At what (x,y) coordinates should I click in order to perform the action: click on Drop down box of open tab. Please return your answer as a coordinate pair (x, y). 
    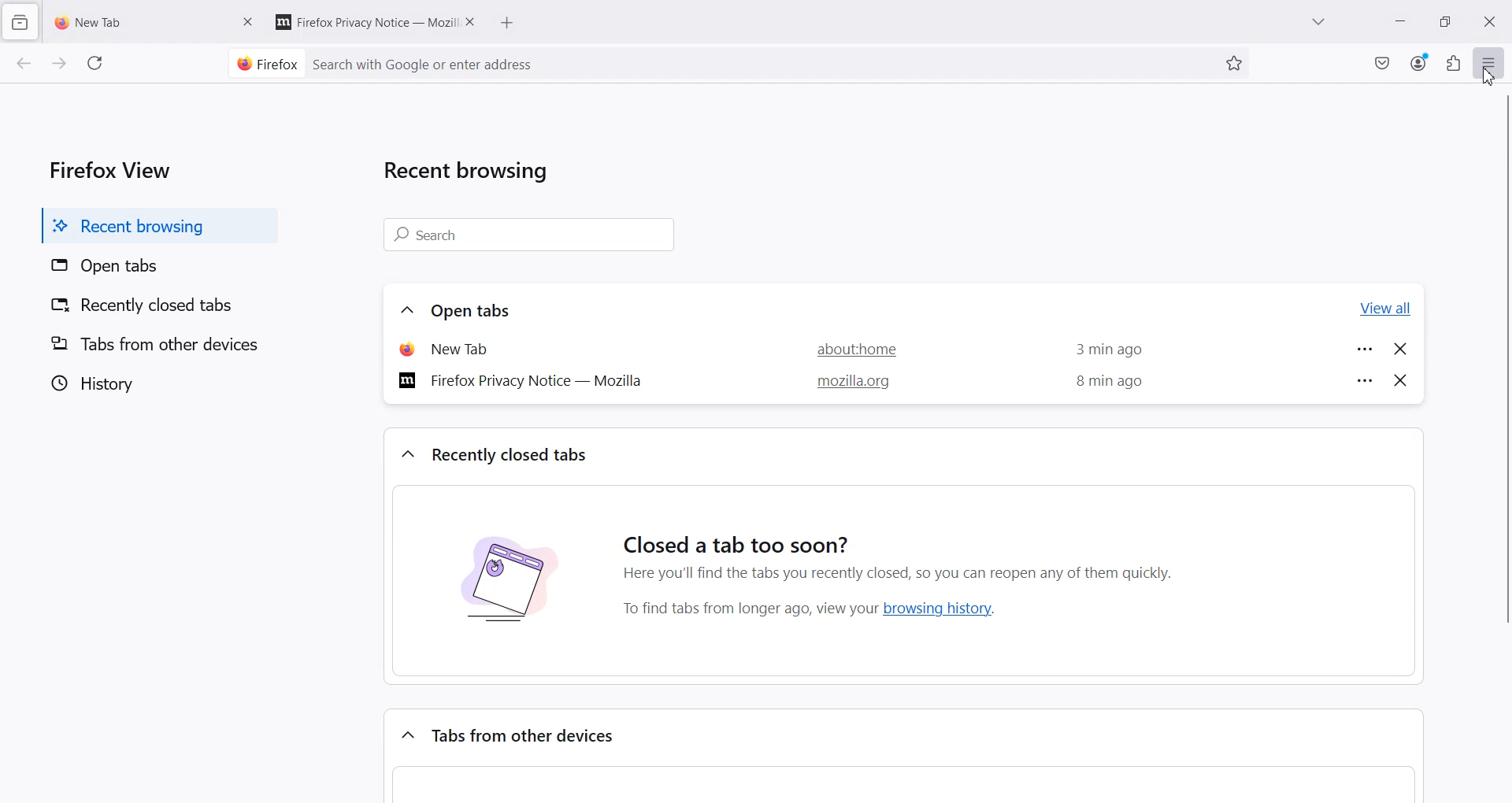
    Looking at the image, I should click on (403, 311).